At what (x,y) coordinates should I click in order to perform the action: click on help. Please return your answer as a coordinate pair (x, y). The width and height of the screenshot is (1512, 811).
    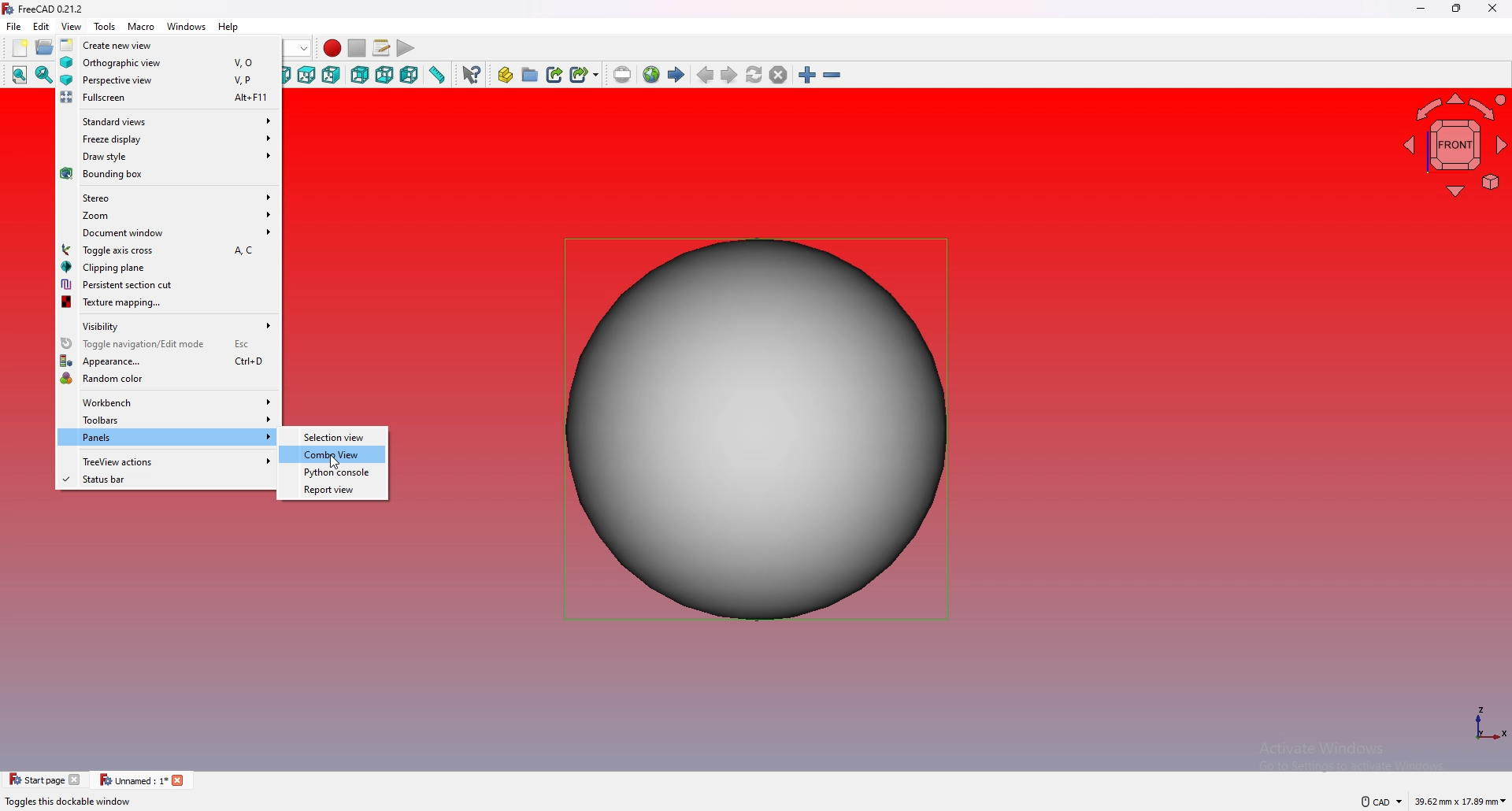
    Looking at the image, I should click on (229, 27).